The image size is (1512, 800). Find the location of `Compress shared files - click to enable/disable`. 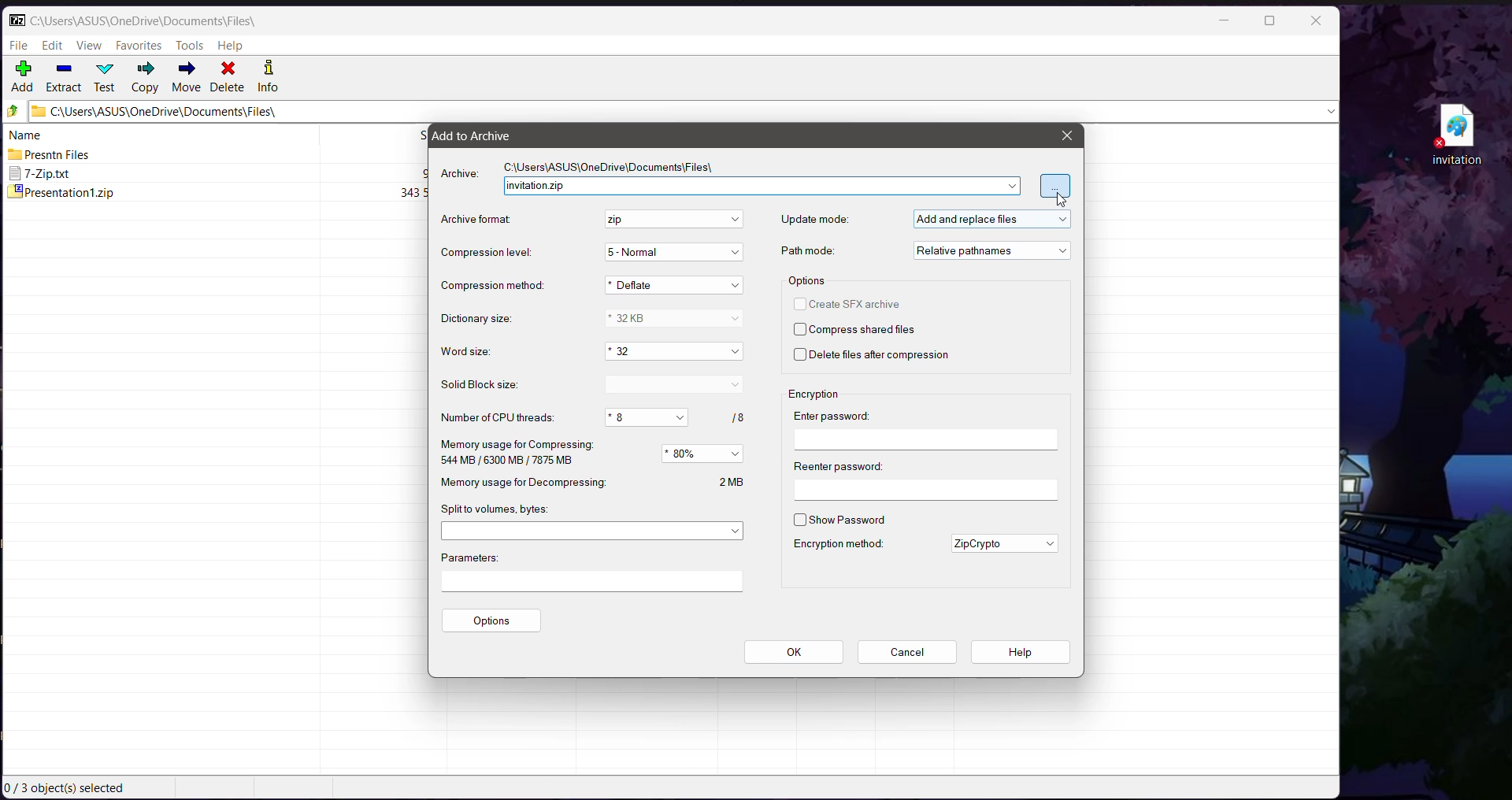

Compress shared files - click to enable/disable is located at coordinates (854, 330).